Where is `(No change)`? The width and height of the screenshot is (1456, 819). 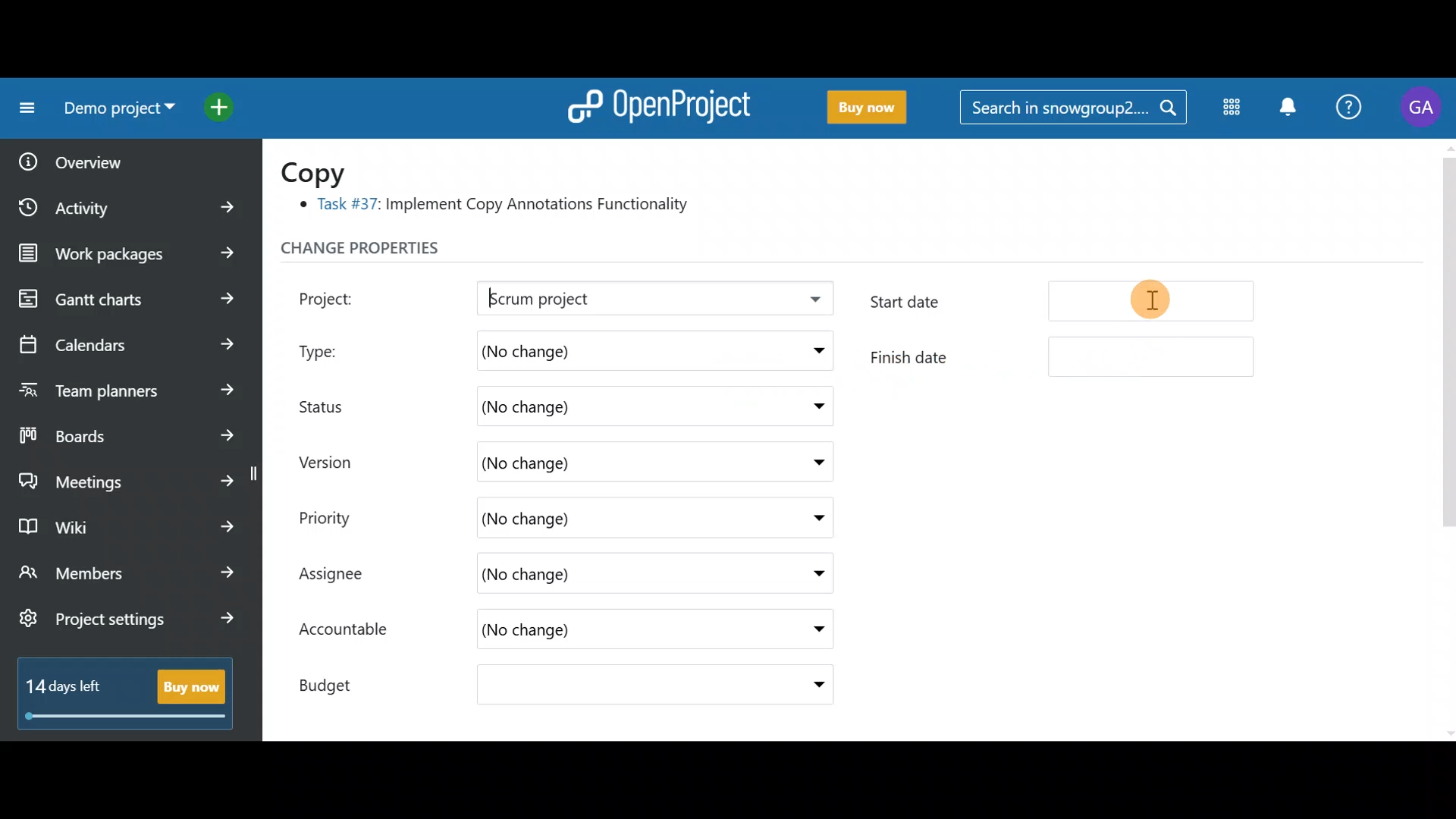 (No change) is located at coordinates (600, 348).